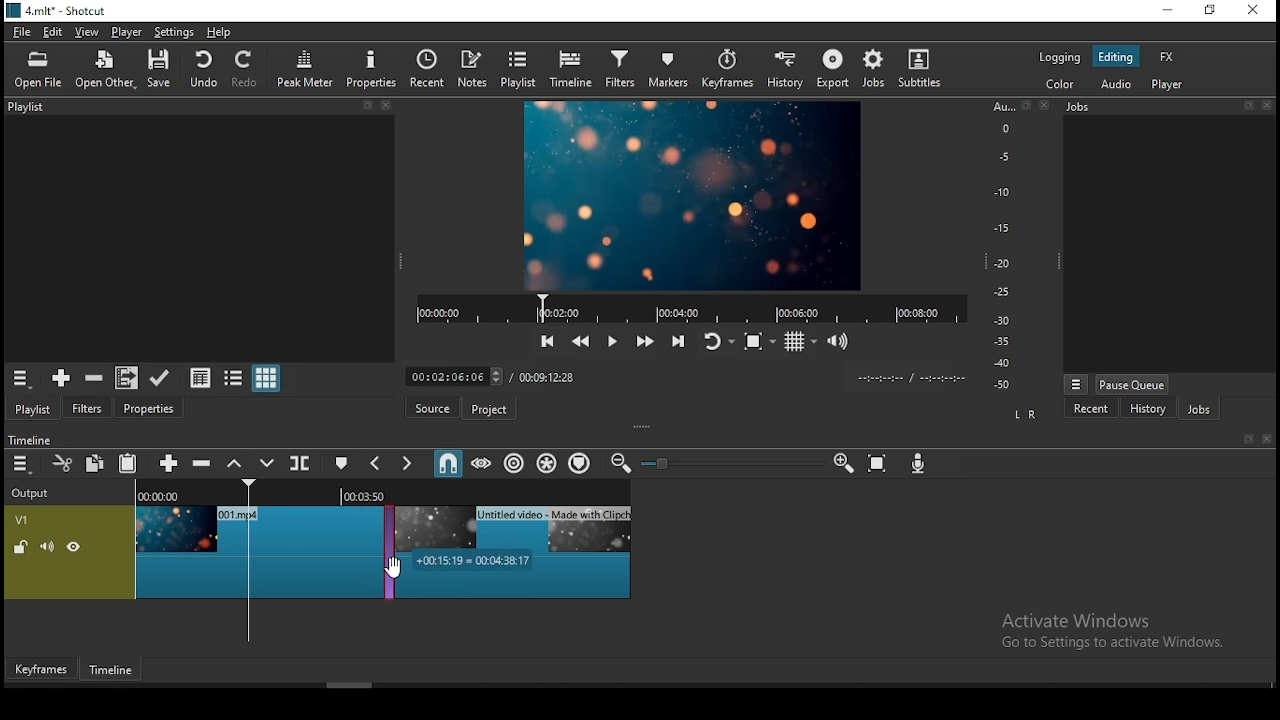  I want to click on video track, so click(70, 551).